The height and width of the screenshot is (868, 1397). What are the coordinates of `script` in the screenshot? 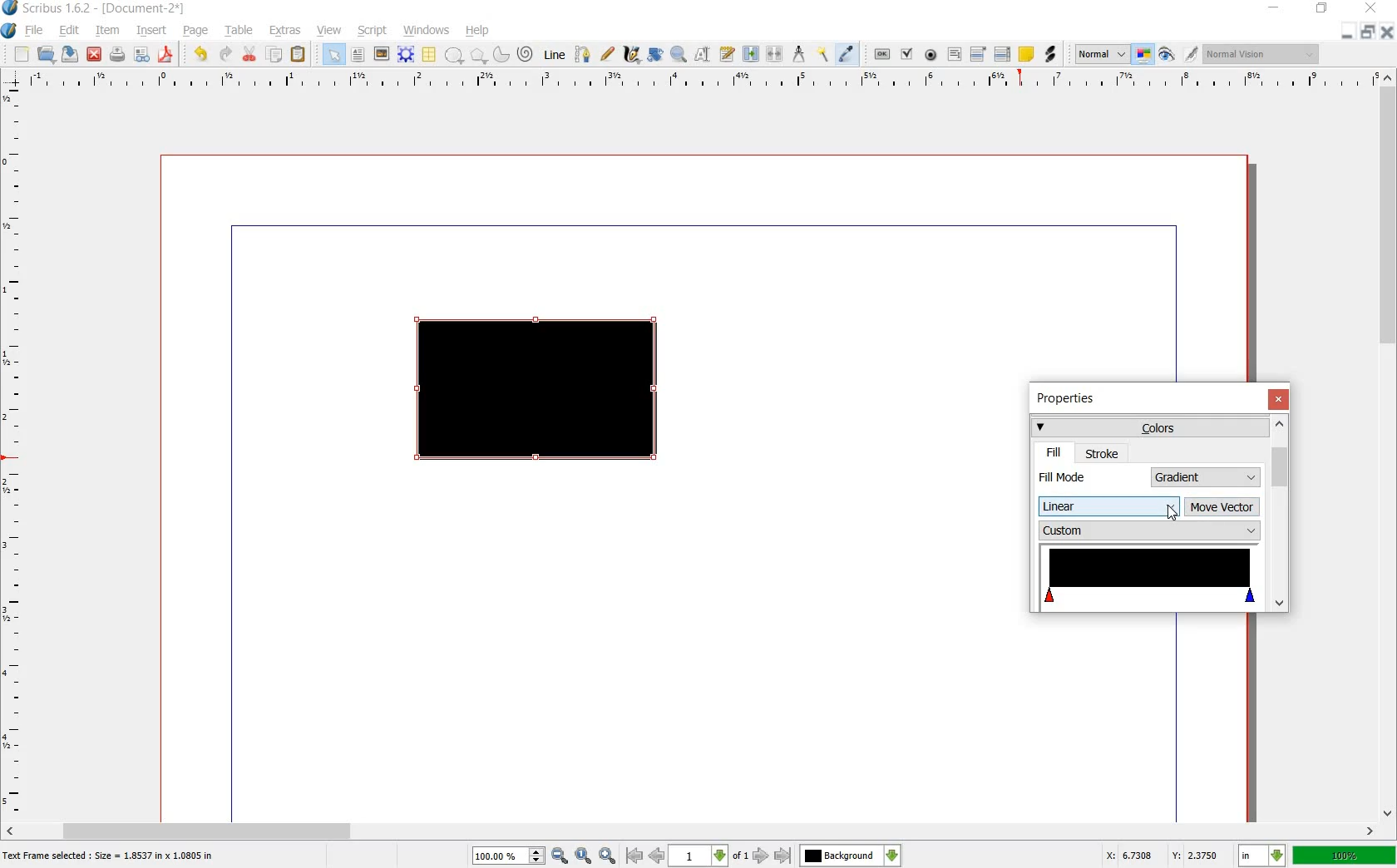 It's located at (373, 31).